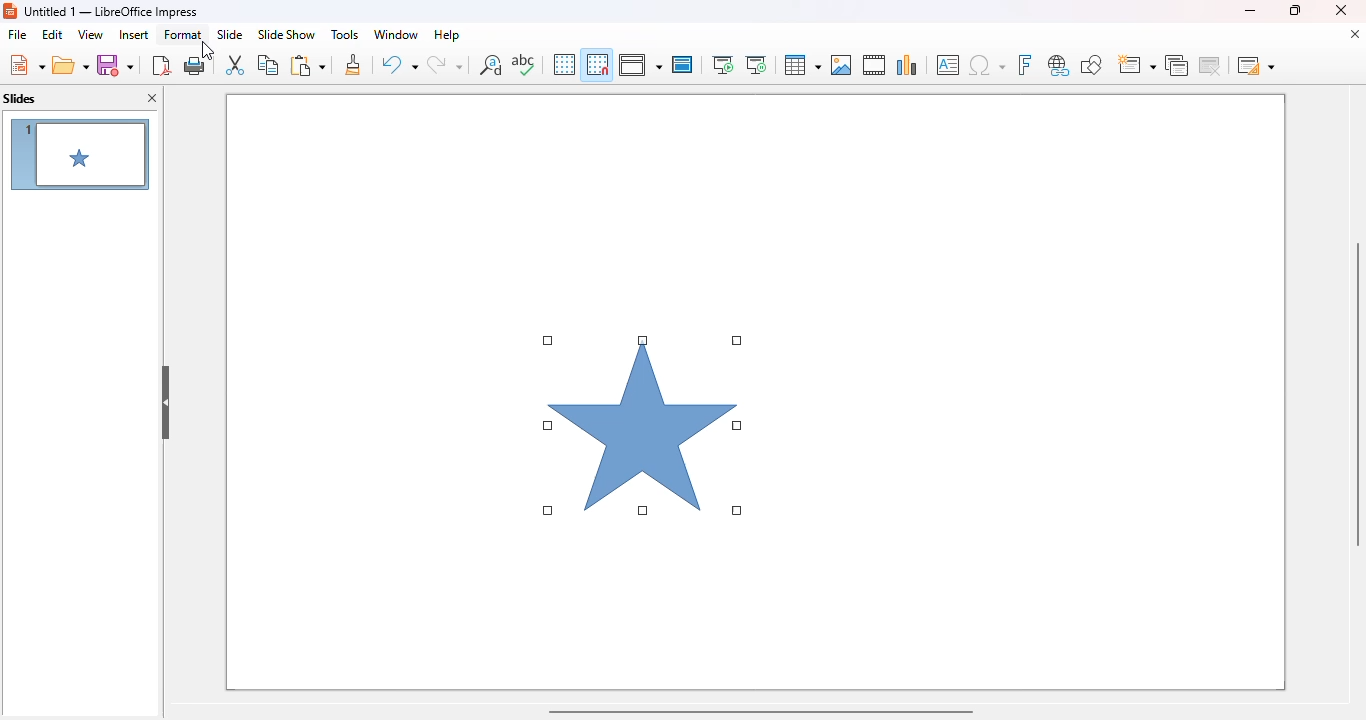 The width and height of the screenshot is (1366, 720). What do you see at coordinates (722, 65) in the screenshot?
I see `start from first slide` at bounding box center [722, 65].